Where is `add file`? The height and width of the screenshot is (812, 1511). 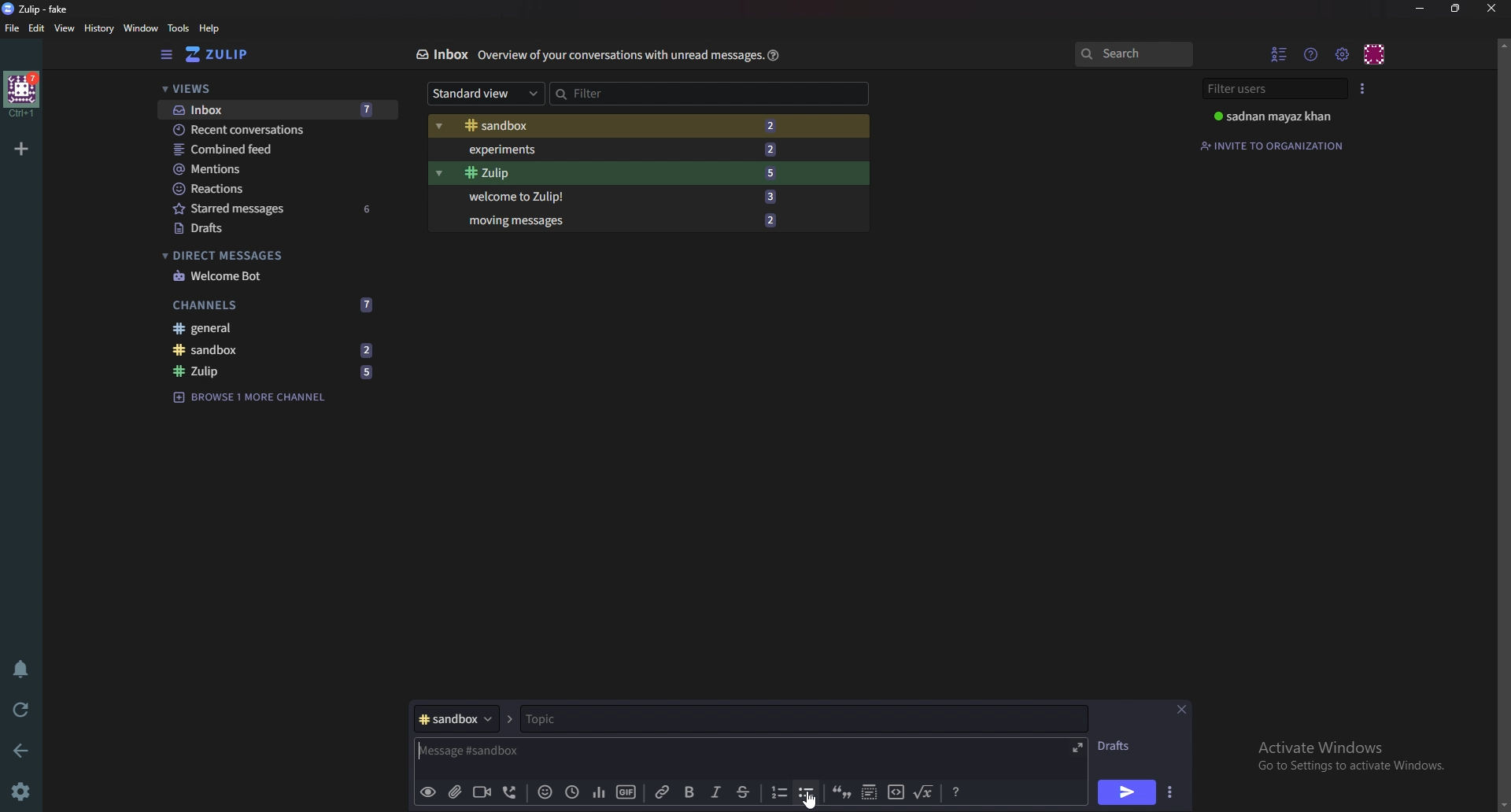 add file is located at coordinates (453, 792).